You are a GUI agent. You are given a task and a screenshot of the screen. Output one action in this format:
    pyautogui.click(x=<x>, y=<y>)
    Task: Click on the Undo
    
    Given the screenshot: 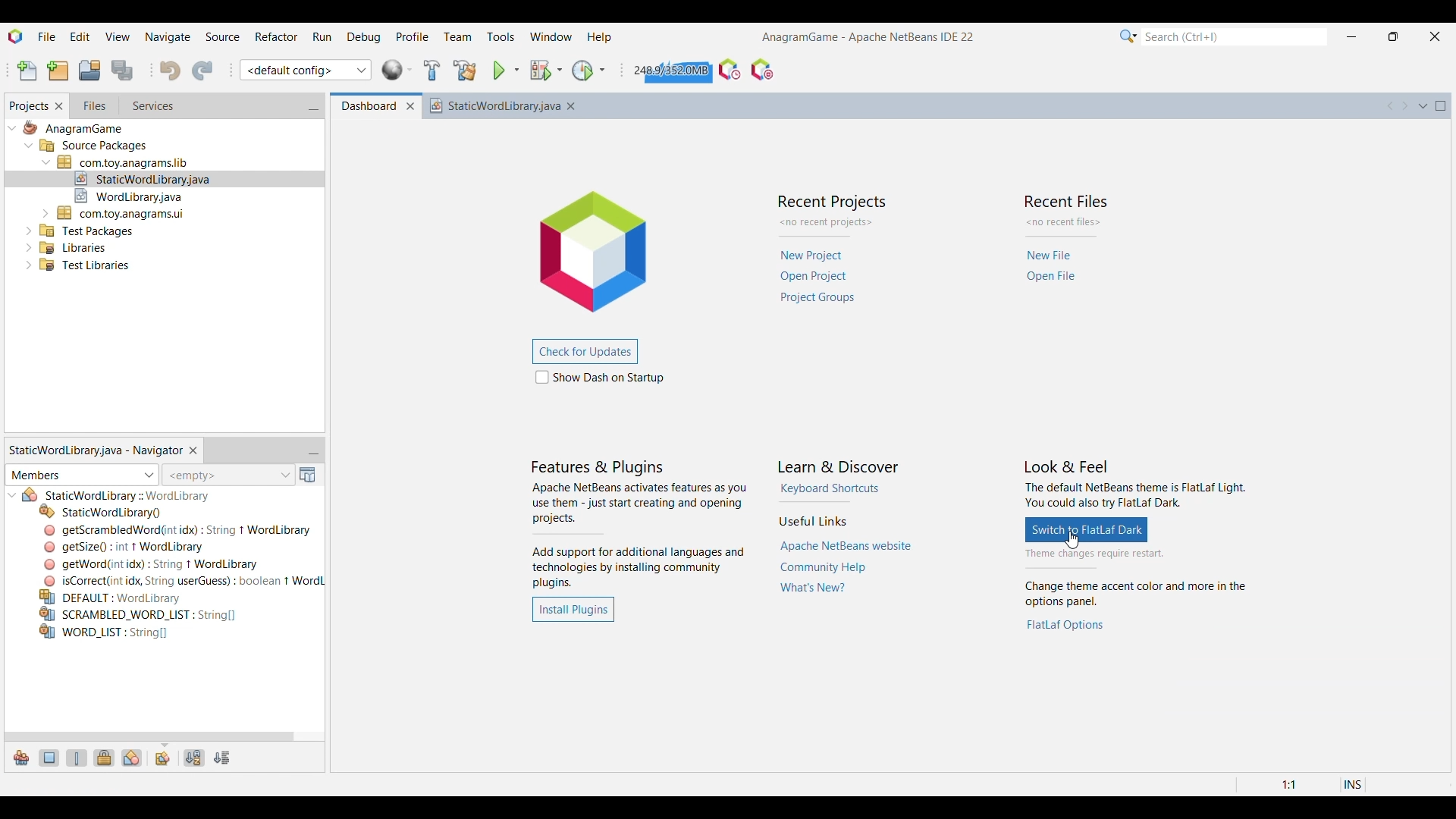 What is the action you would take?
    pyautogui.click(x=170, y=71)
    